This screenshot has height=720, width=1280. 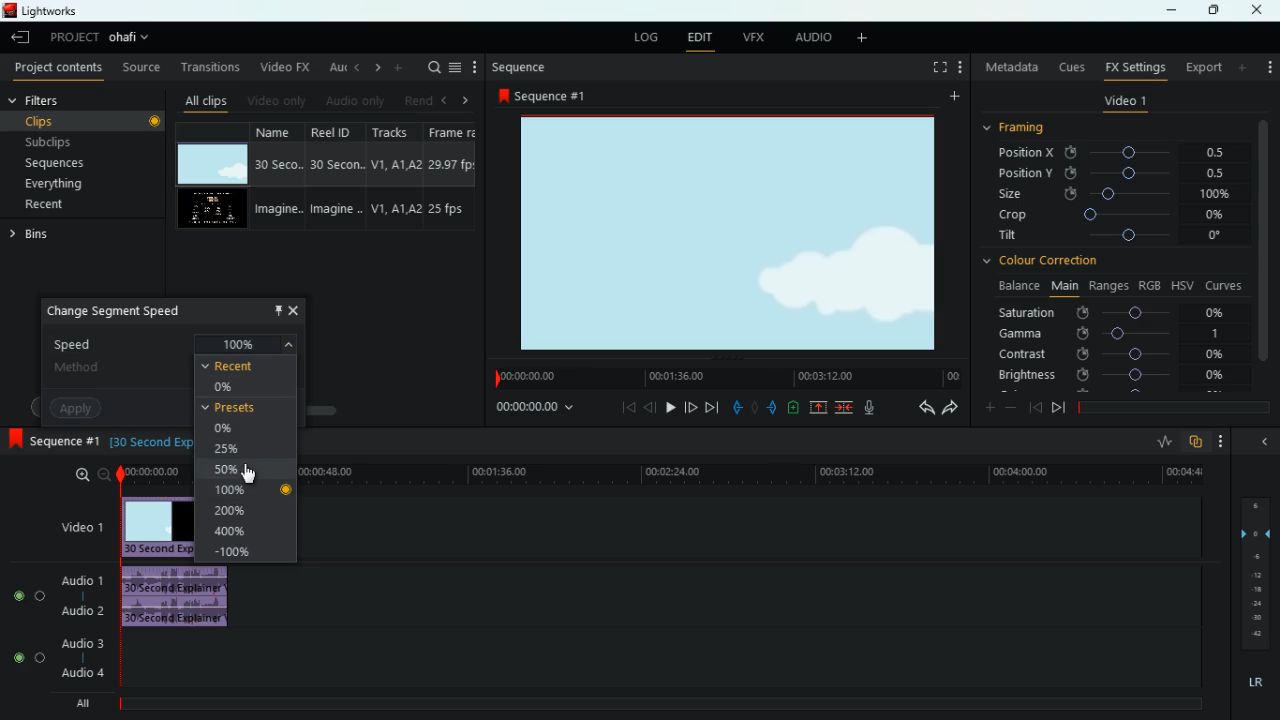 I want to click on close, so click(x=1261, y=10).